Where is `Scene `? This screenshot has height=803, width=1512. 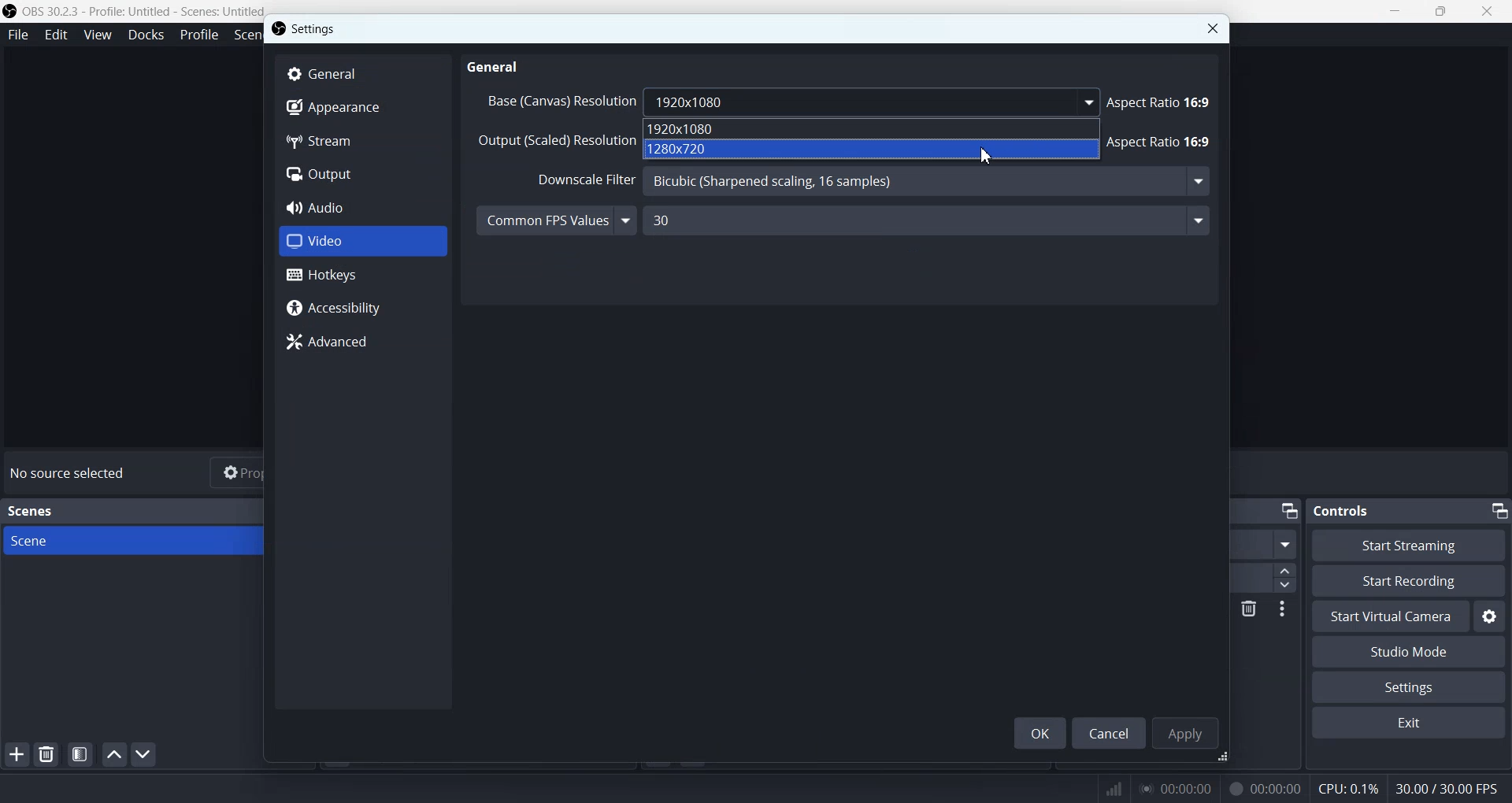
Scene  is located at coordinates (132, 539).